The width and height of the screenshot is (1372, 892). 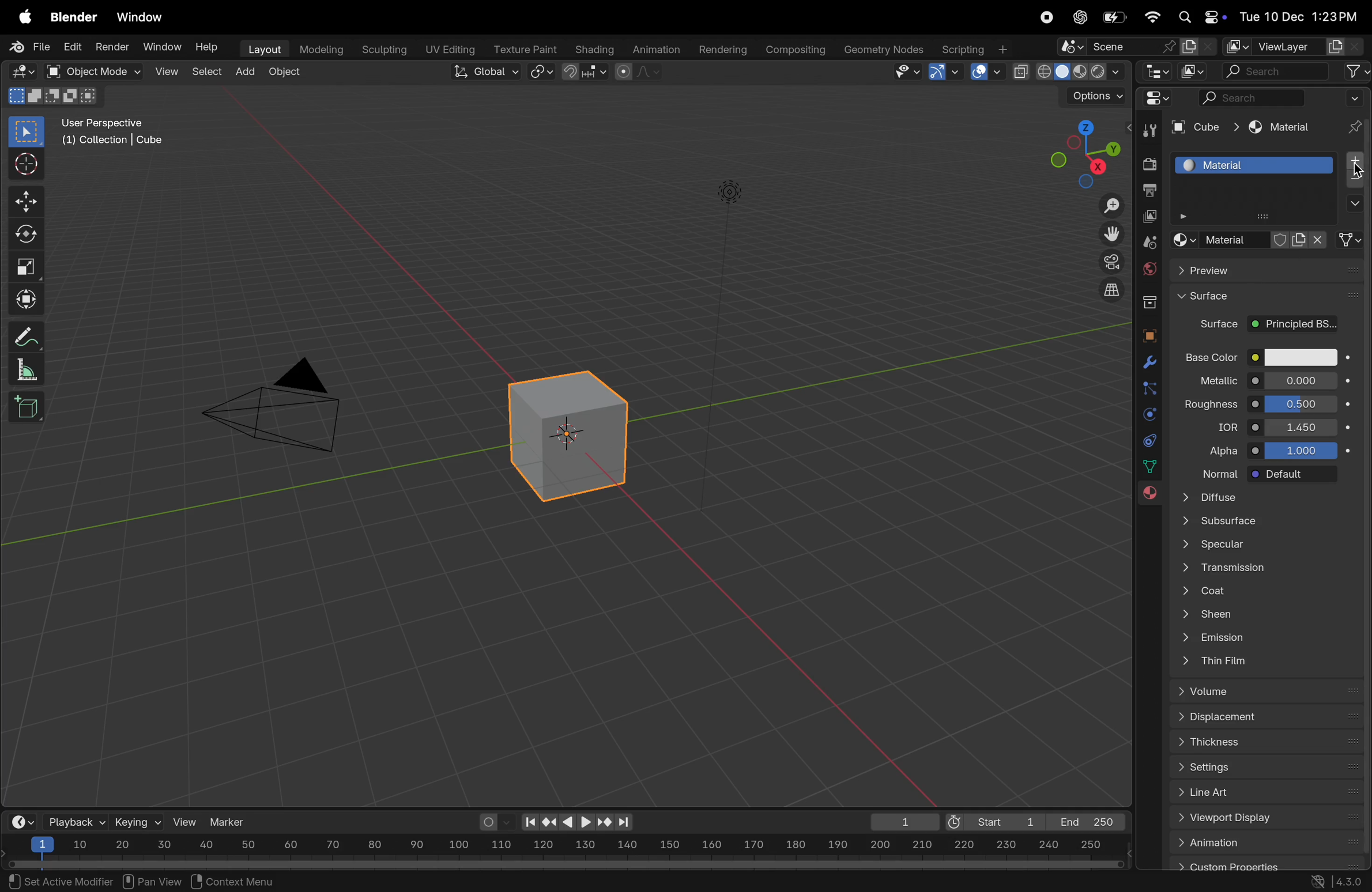 What do you see at coordinates (1276, 71) in the screenshot?
I see `search` at bounding box center [1276, 71].